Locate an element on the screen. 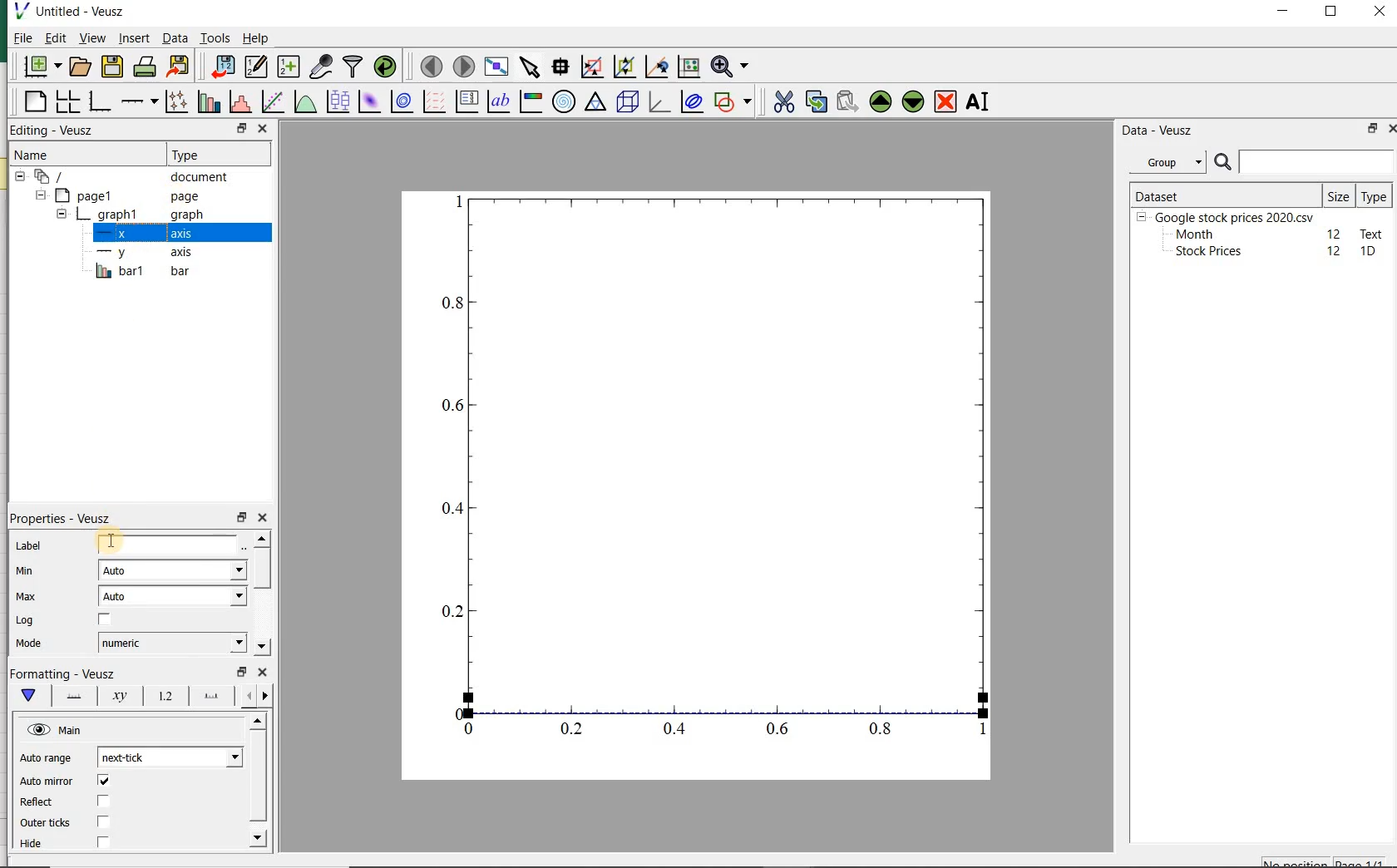  plot covariance ellipses is located at coordinates (692, 102).